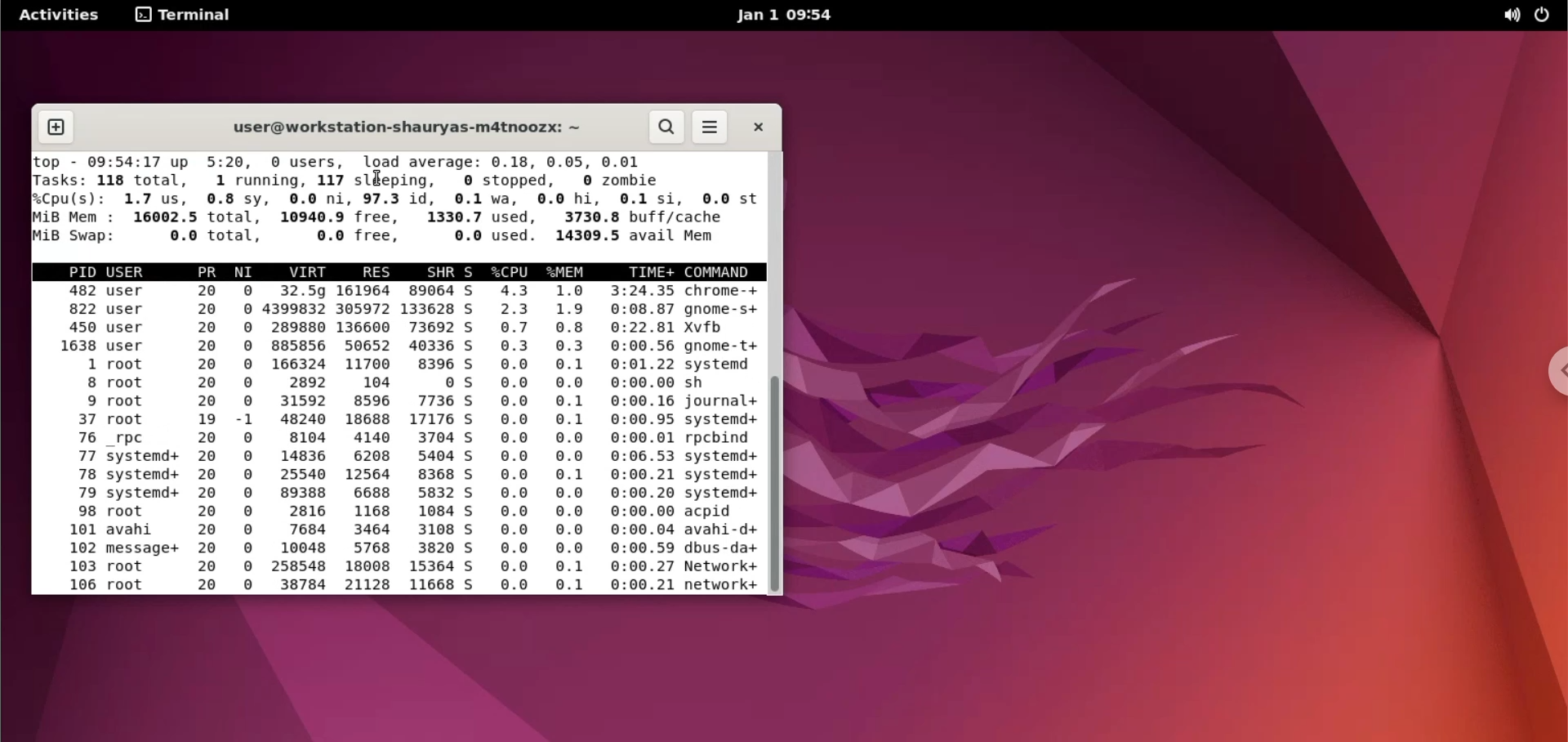 This screenshot has width=1568, height=742. I want to click on user@workstation-shauryas-m4tnoozx: ~, so click(410, 124).